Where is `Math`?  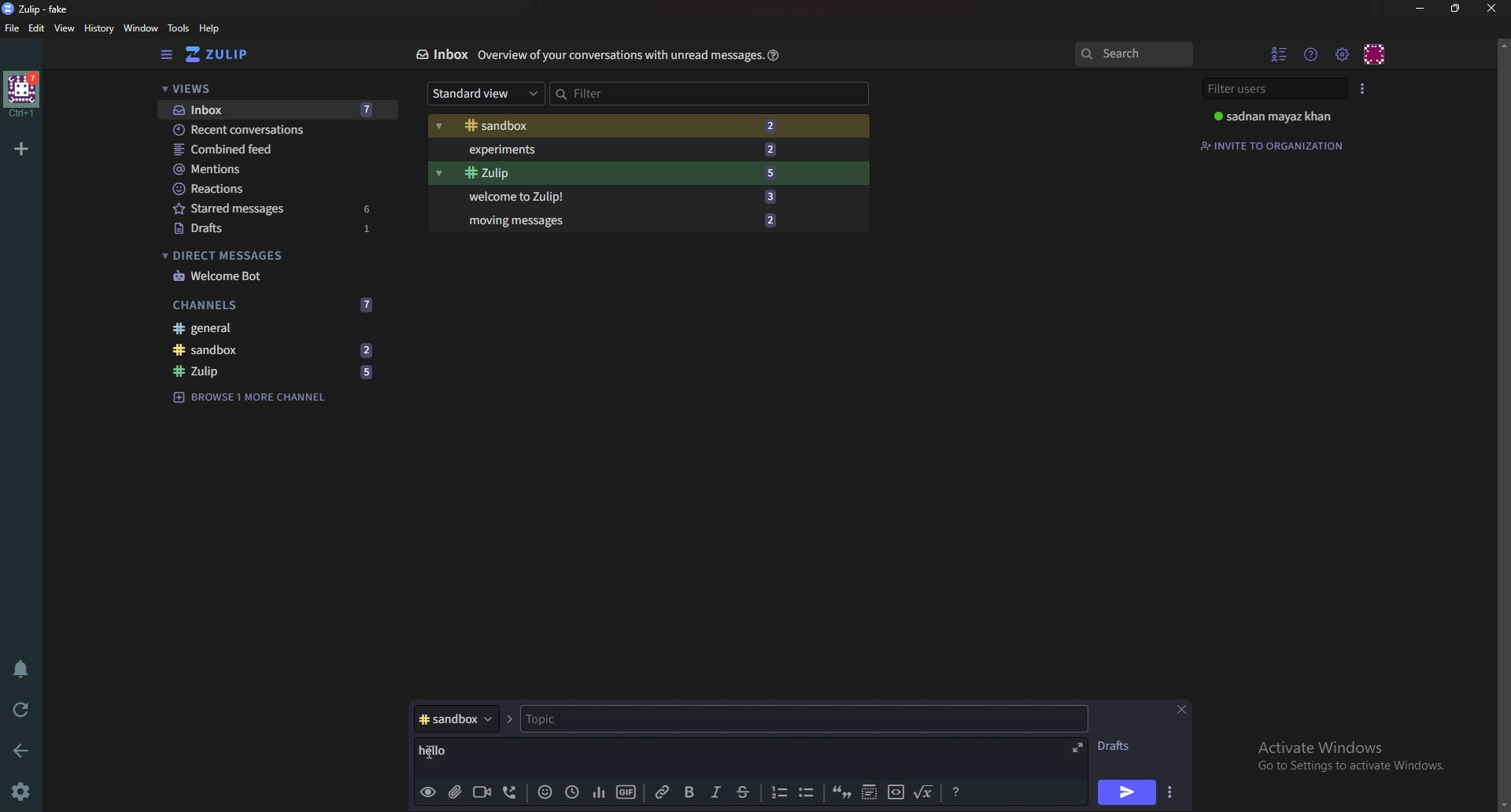 Math is located at coordinates (926, 793).